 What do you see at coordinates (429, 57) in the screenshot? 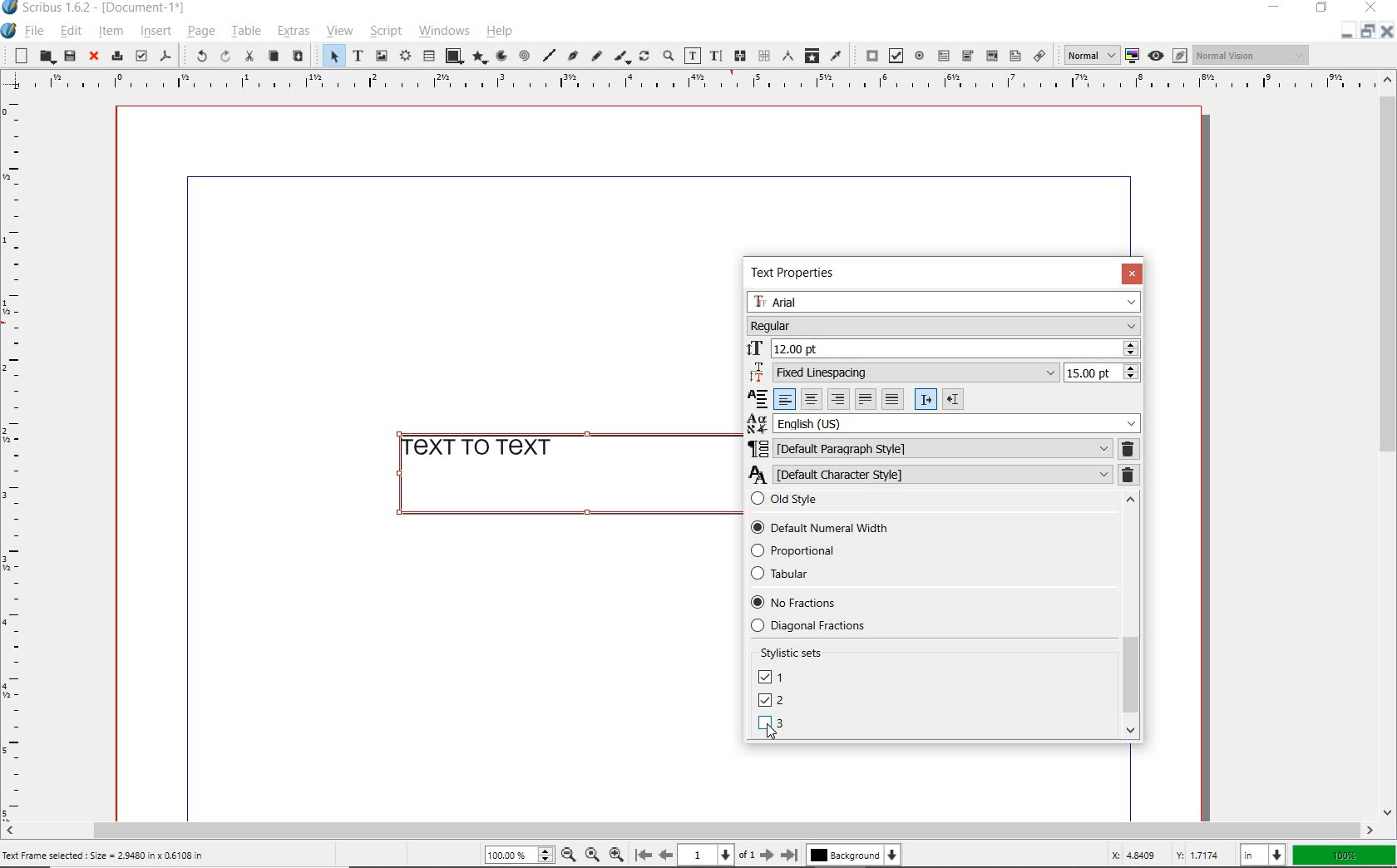
I see `table` at bounding box center [429, 57].